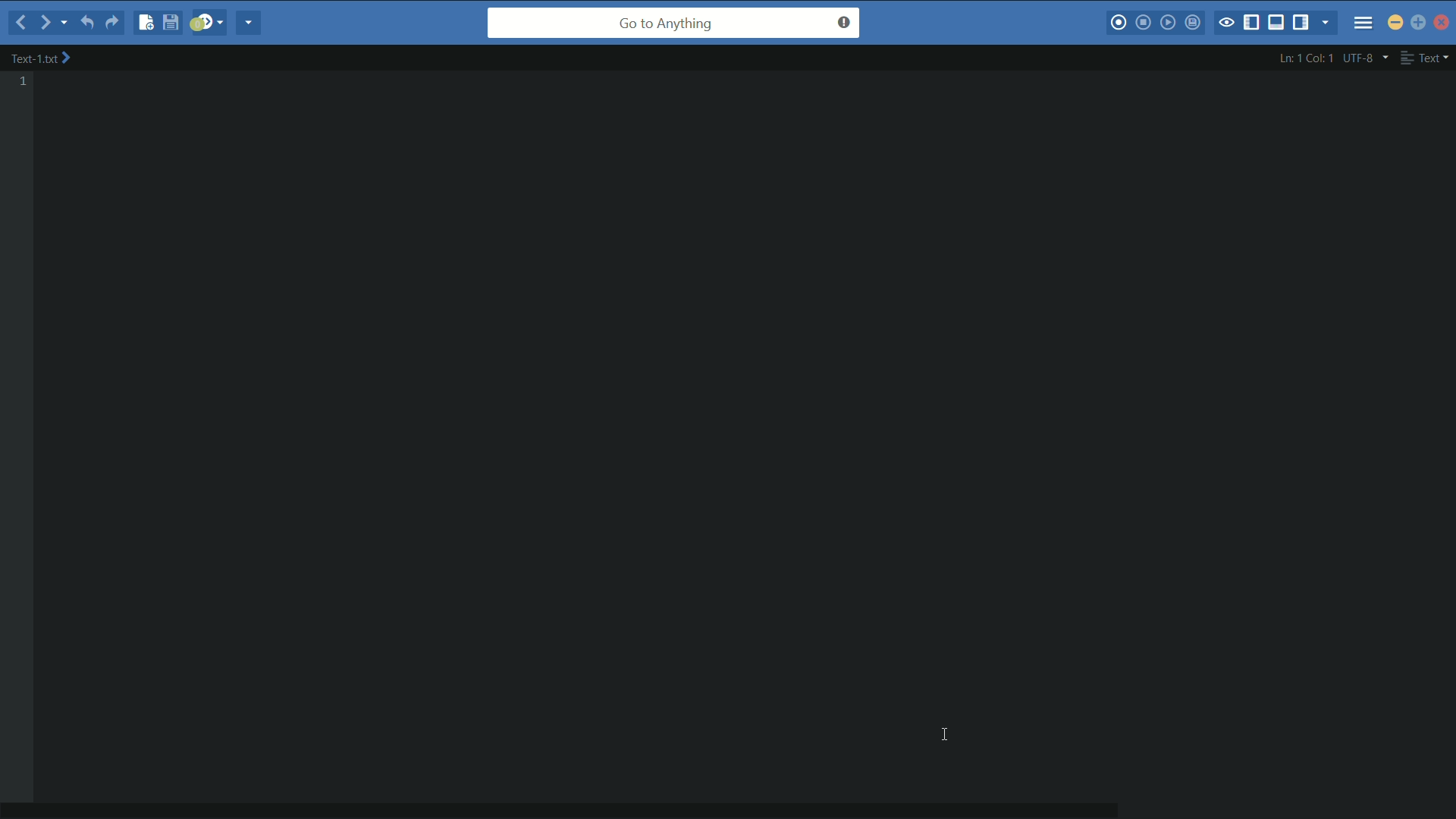  I want to click on show specific tab/sidebar, so click(1328, 23).